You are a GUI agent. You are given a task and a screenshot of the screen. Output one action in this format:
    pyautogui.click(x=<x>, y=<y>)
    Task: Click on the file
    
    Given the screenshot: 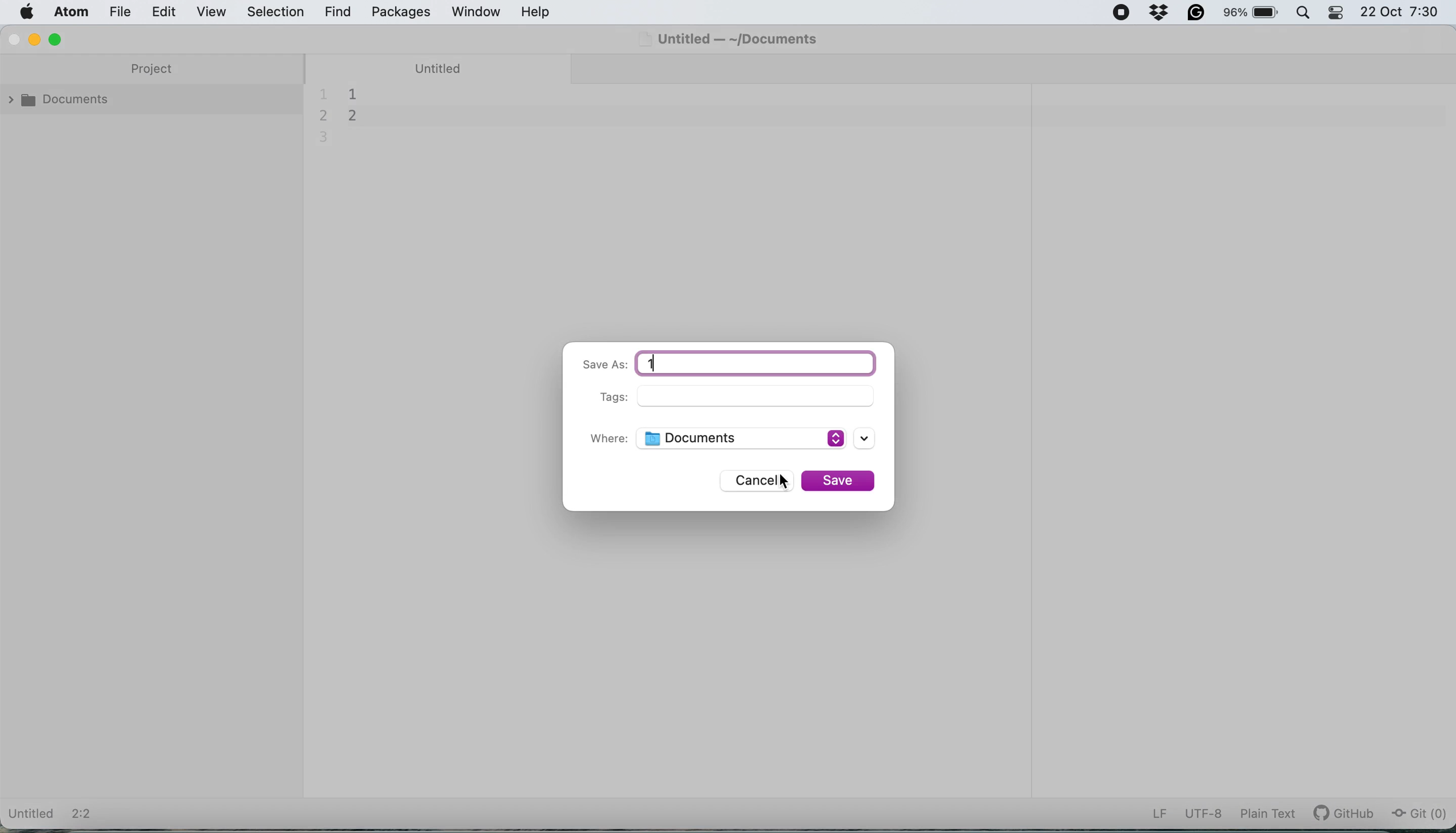 What is the action you would take?
    pyautogui.click(x=128, y=12)
    